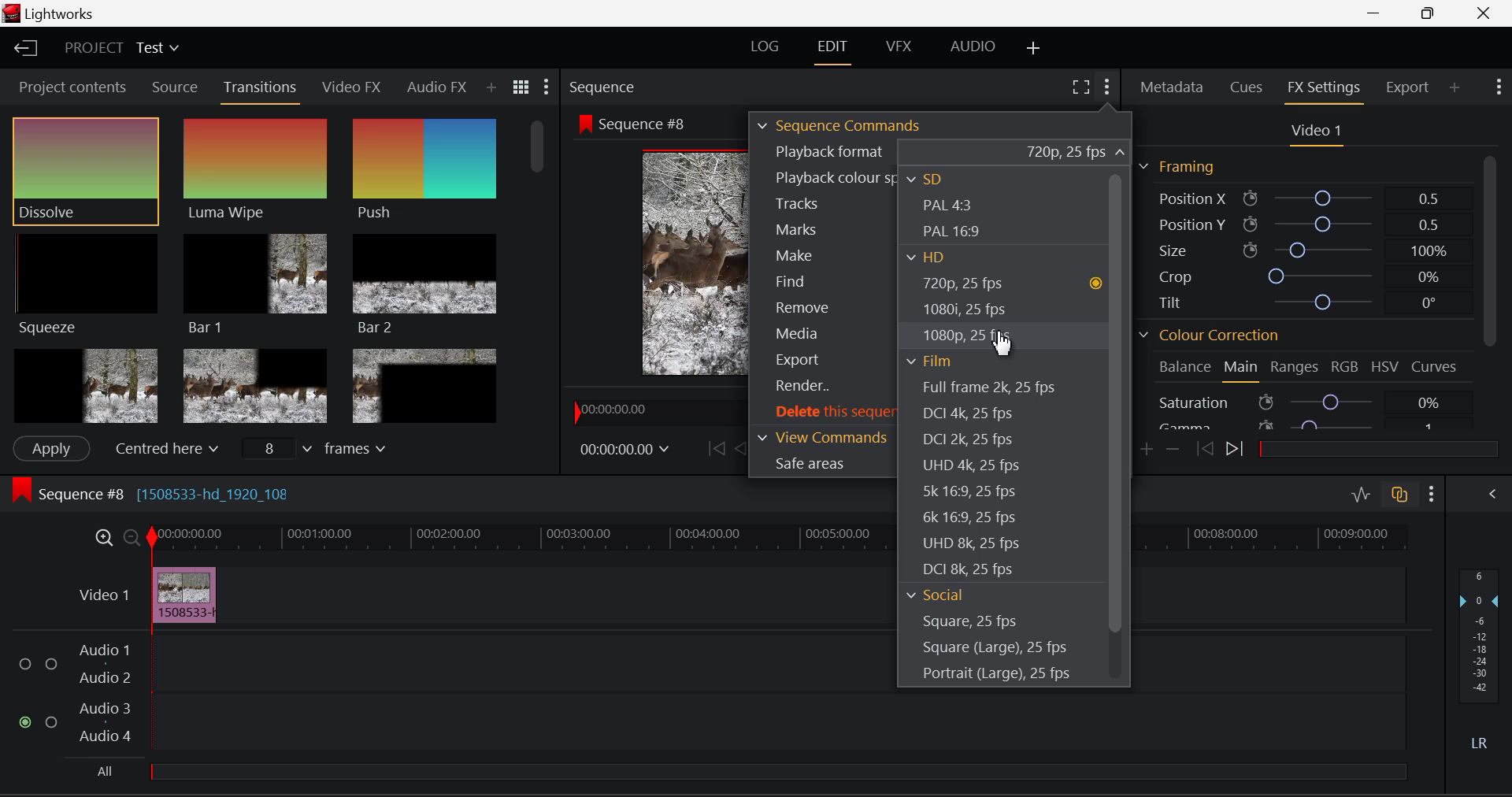  I want to click on Toggle auto track sync, so click(1400, 495).